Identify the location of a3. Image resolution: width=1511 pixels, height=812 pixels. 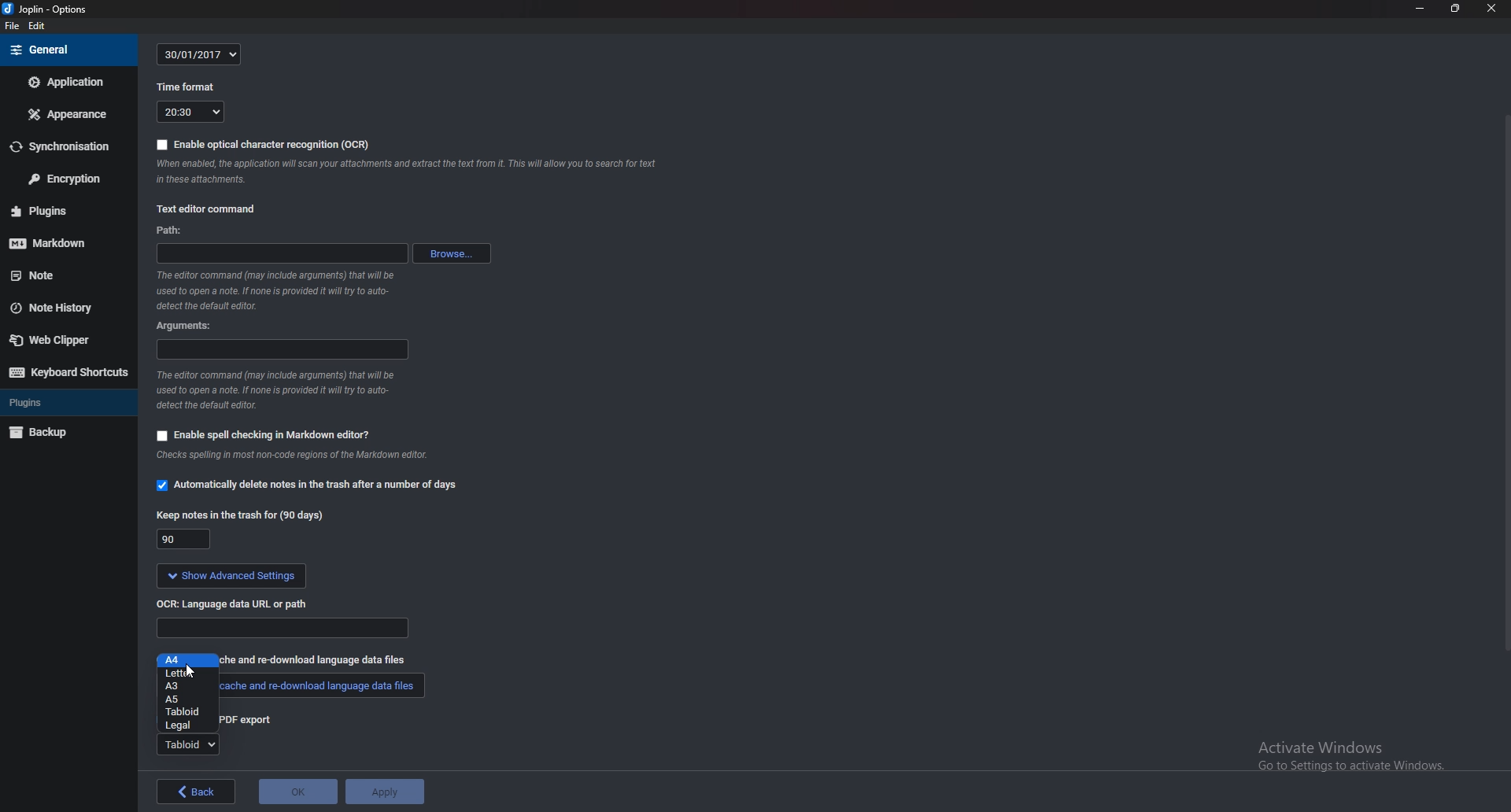
(187, 687).